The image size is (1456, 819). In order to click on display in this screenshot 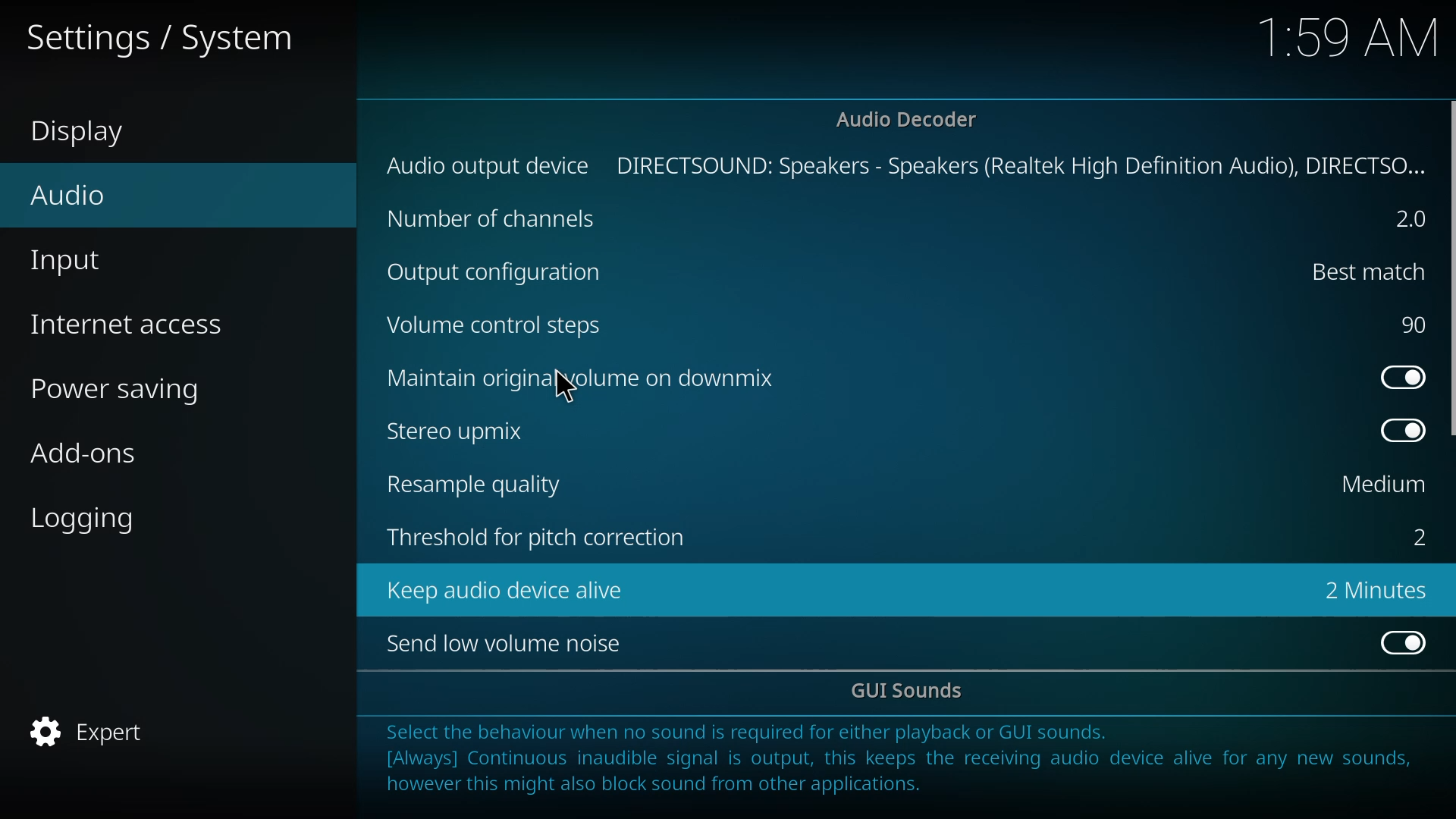, I will do `click(83, 133)`.